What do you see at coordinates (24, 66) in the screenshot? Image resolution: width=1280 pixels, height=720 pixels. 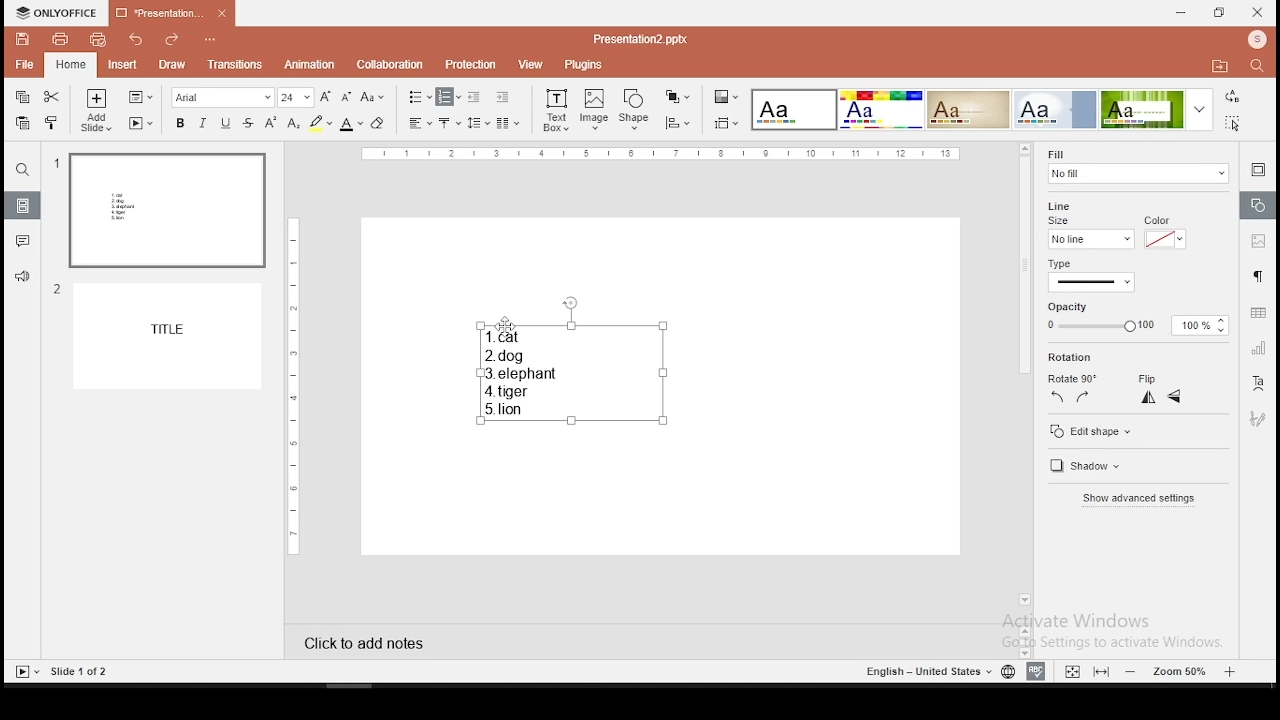 I see `file` at bounding box center [24, 66].